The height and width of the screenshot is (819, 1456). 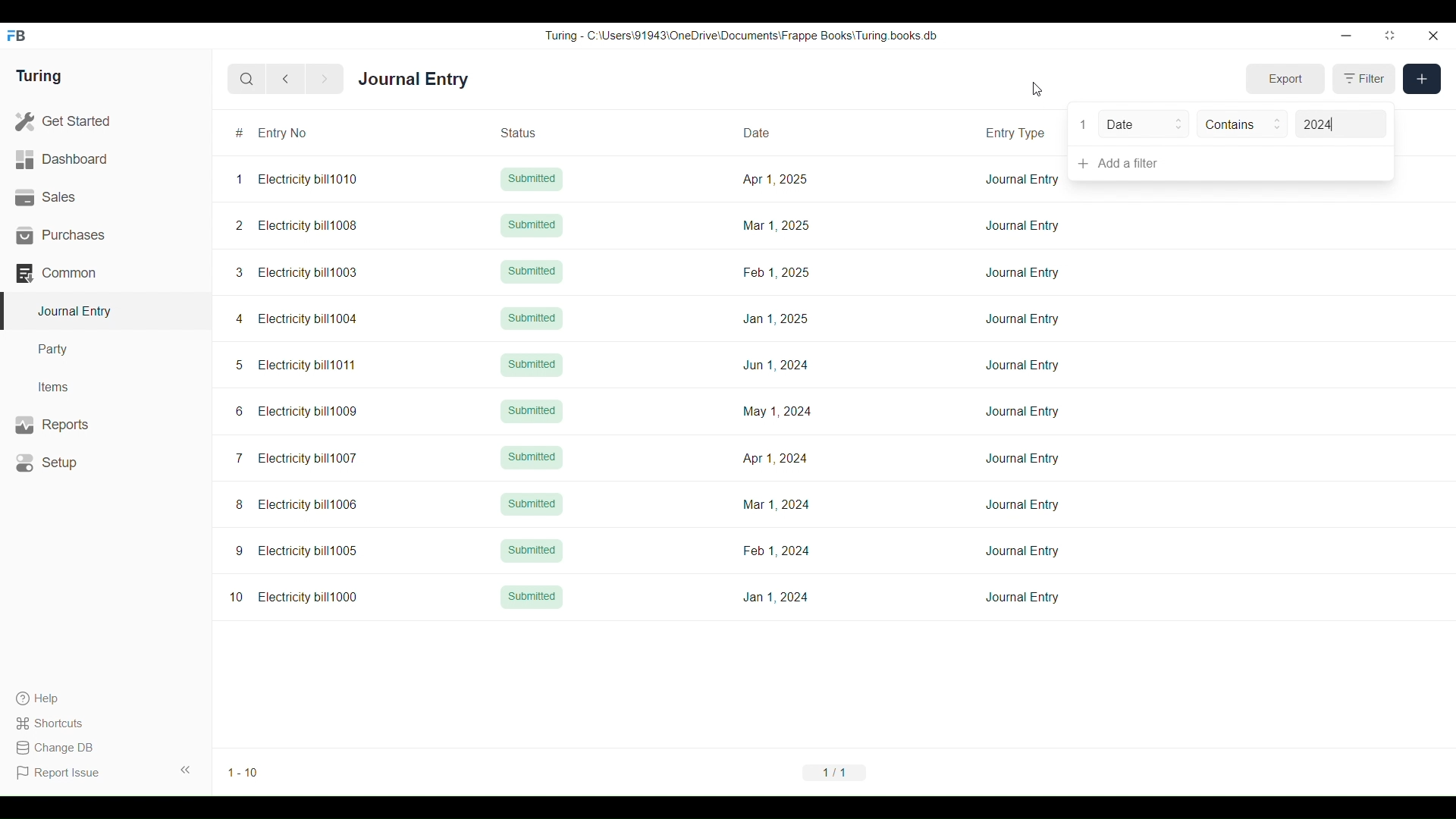 What do you see at coordinates (1433, 36) in the screenshot?
I see `Close` at bounding box center [1433, 36].